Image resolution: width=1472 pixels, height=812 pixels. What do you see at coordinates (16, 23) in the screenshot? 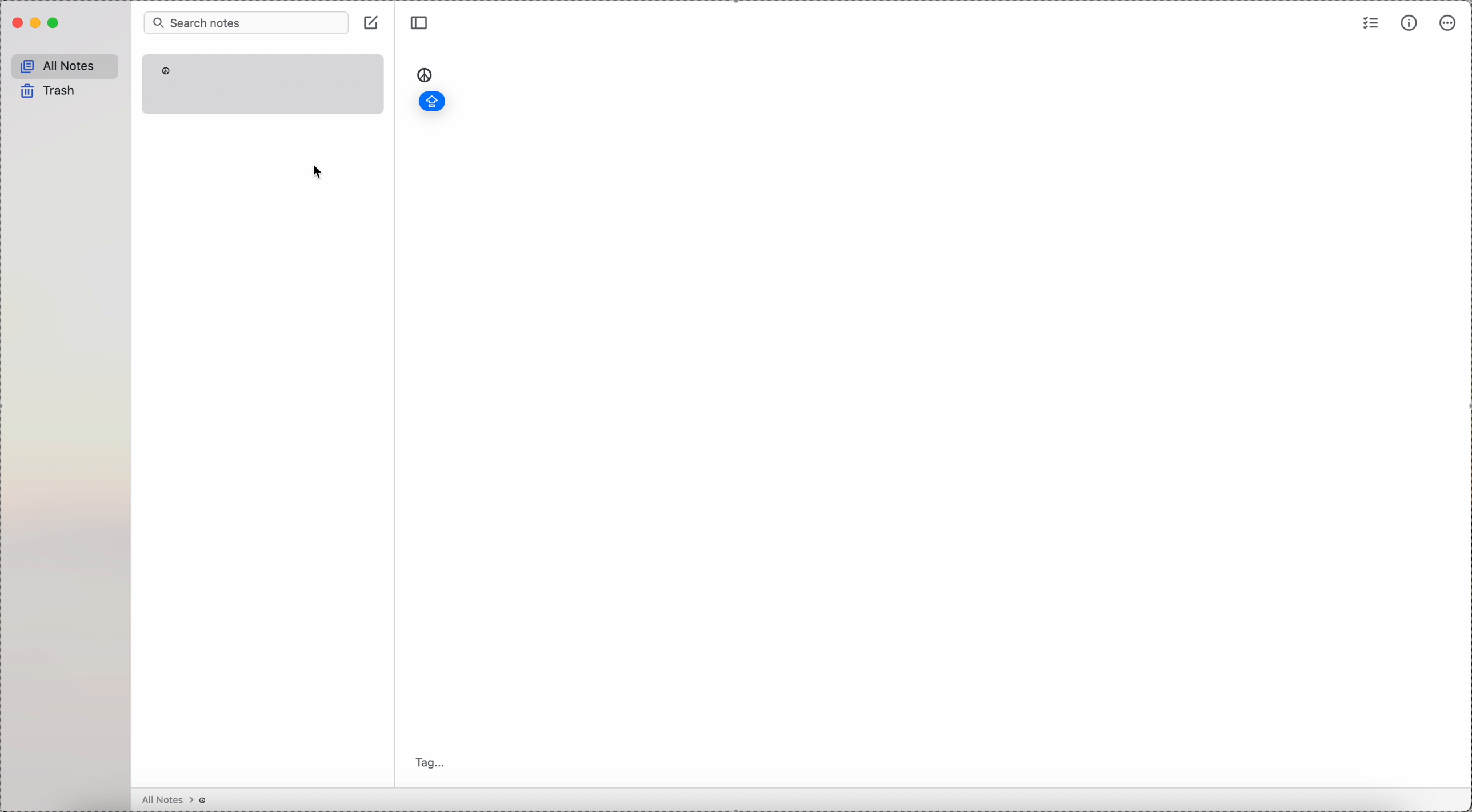
I see `close Simplenote` at bounding box center [16, 23].